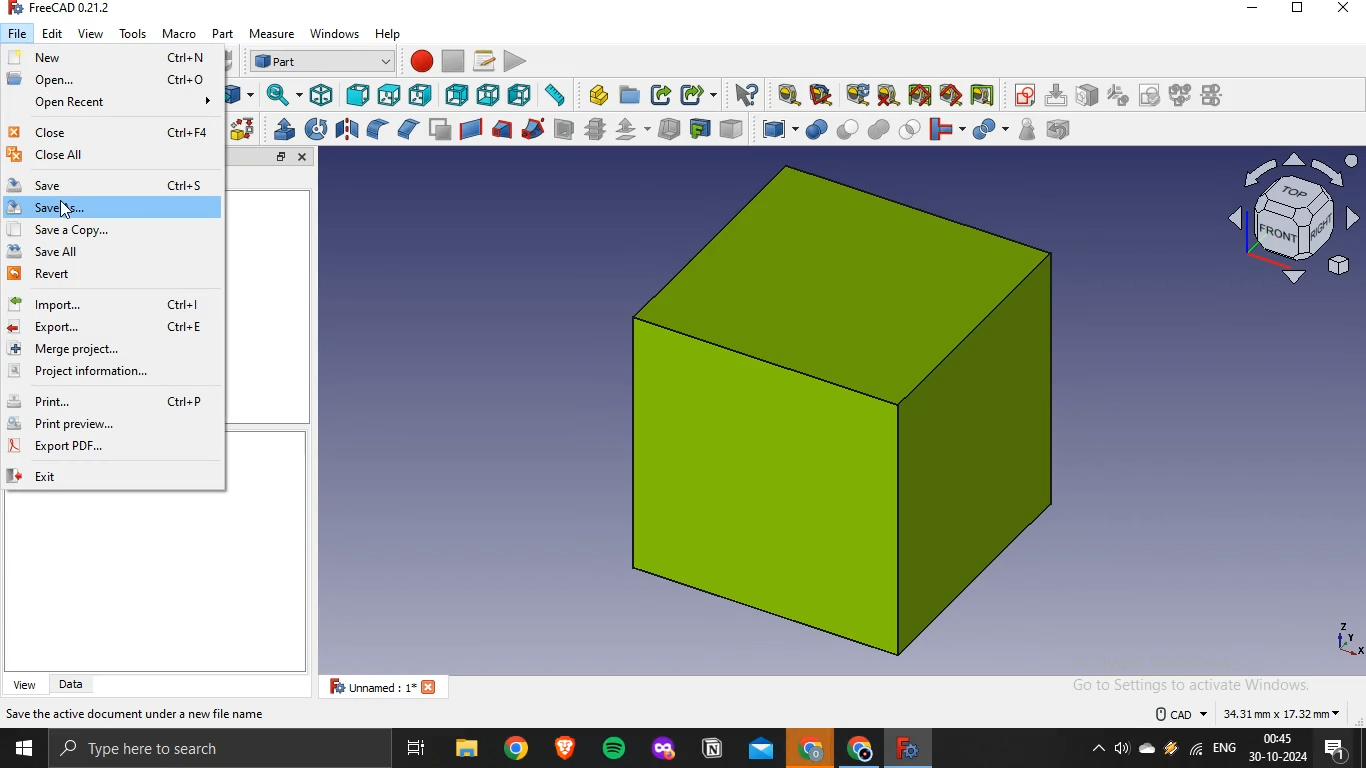  What do you see at coordinates (1227, 751) in the screenshot?
I see `english` at bounding box center [1227, 751].